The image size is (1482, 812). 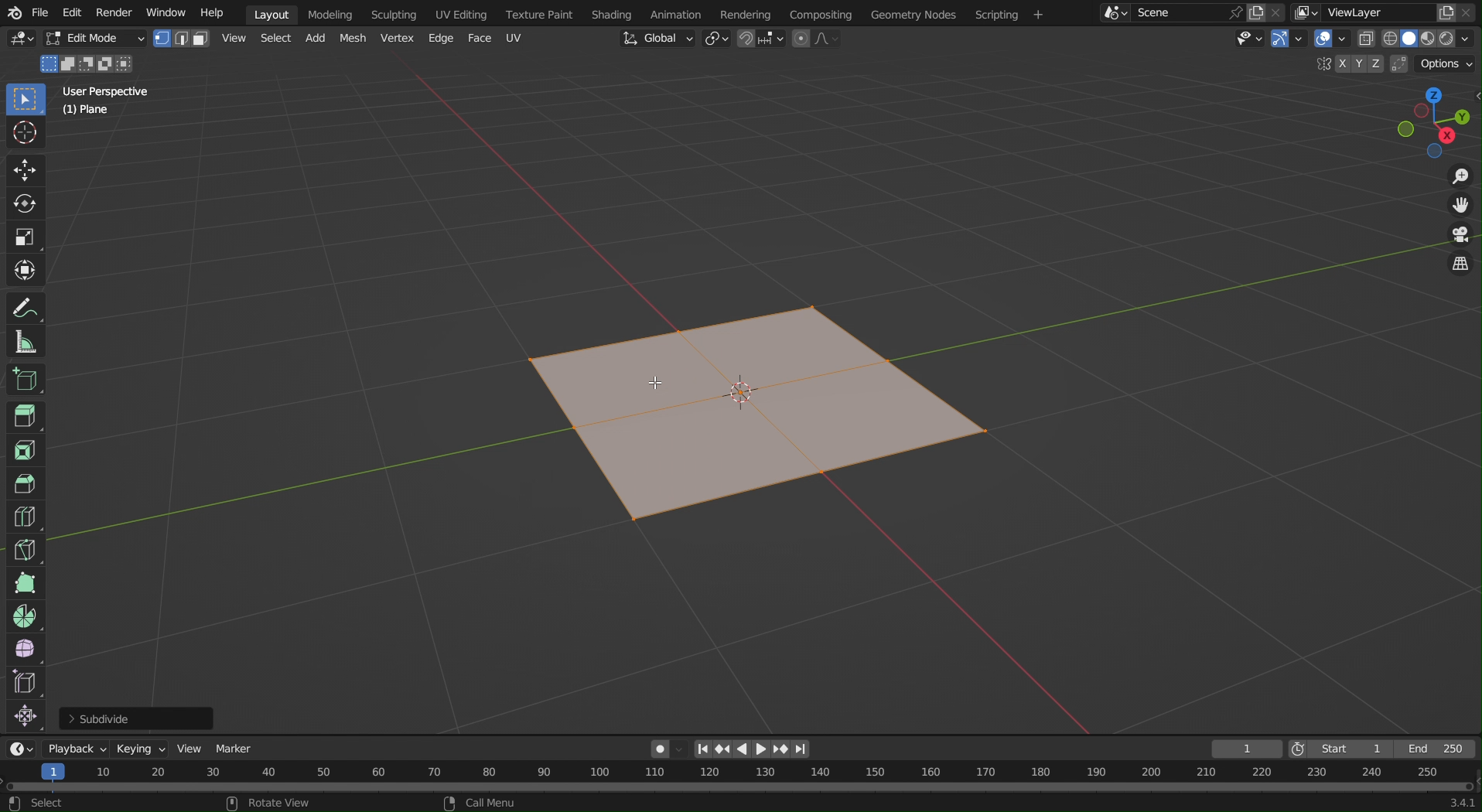 I want to click on XYZ, so click(x=1354, y=63).